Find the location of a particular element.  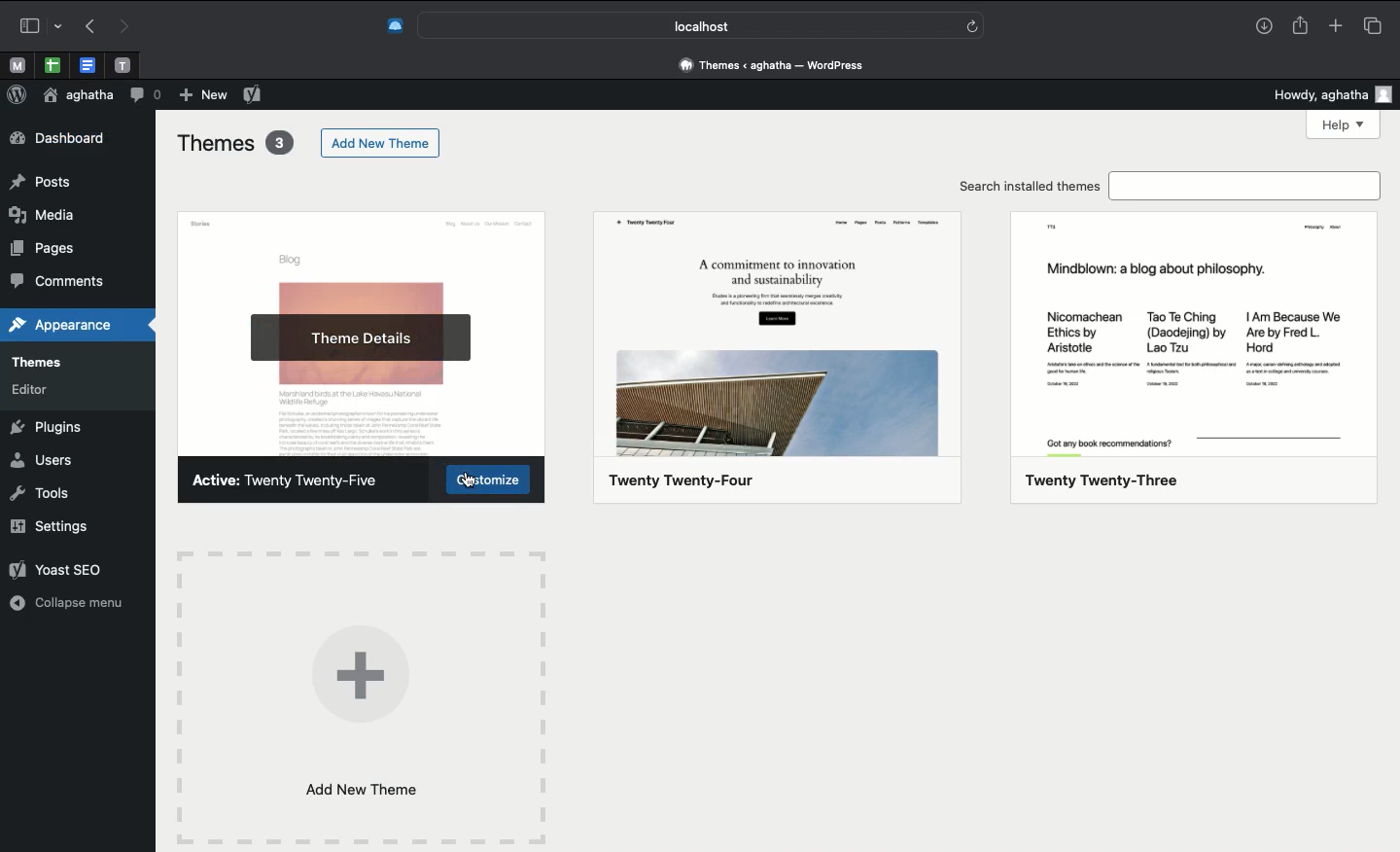

comments is located at coordinates (66, 285).